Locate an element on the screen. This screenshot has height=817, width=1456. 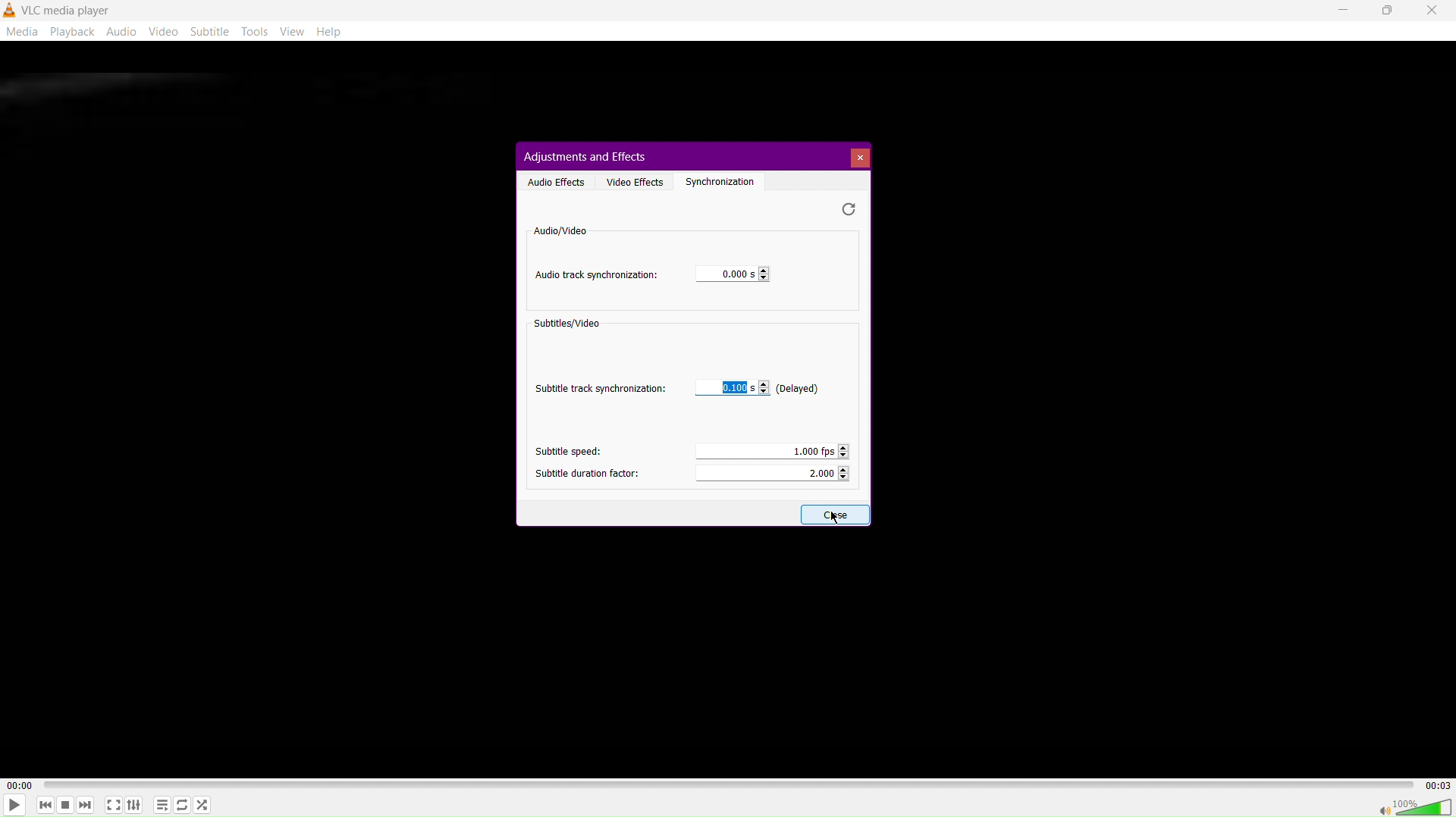
Close is located at coordinates (861, 158).